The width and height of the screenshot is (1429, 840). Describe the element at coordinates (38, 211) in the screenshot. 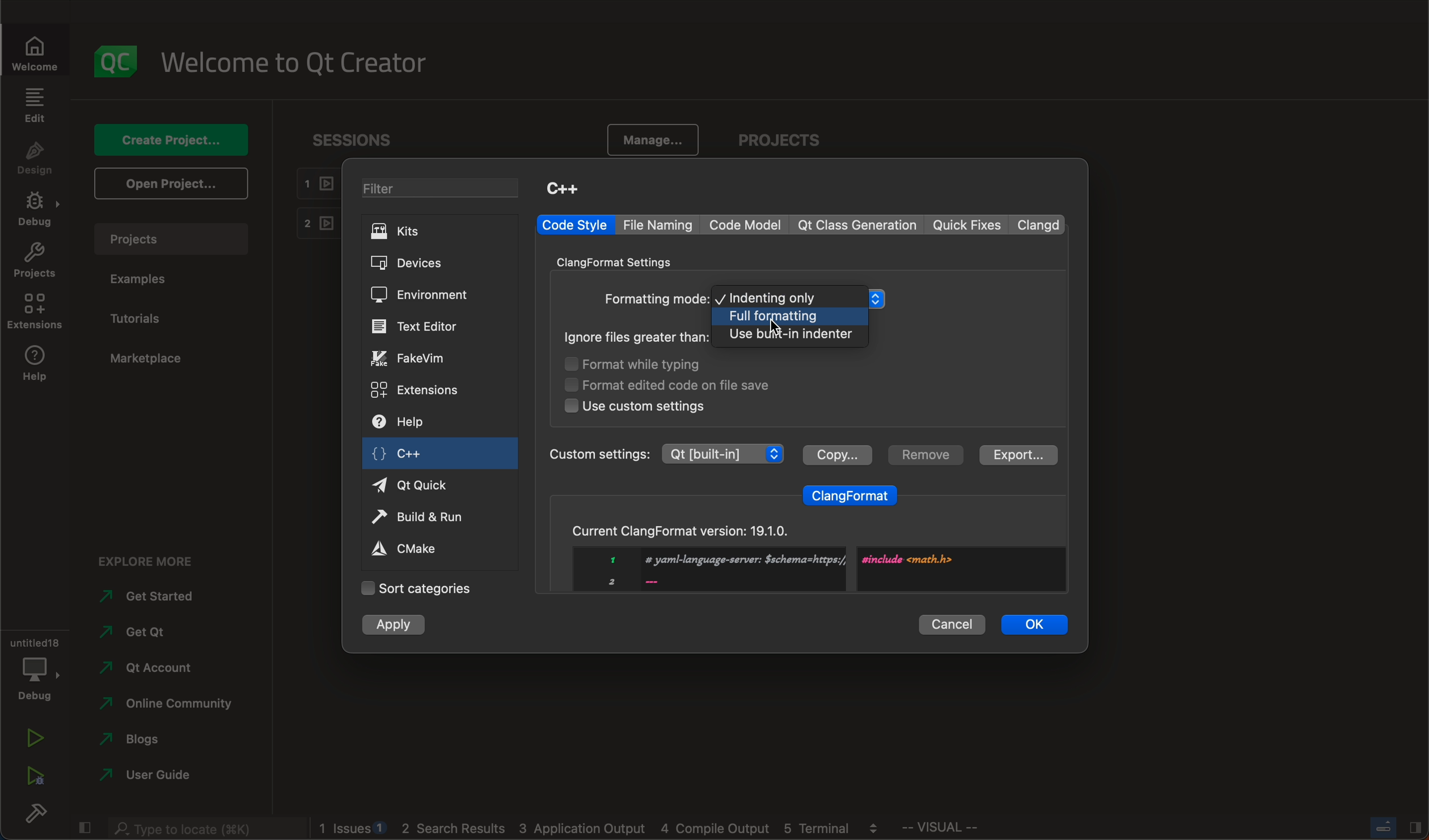

I see `debug` at that location.